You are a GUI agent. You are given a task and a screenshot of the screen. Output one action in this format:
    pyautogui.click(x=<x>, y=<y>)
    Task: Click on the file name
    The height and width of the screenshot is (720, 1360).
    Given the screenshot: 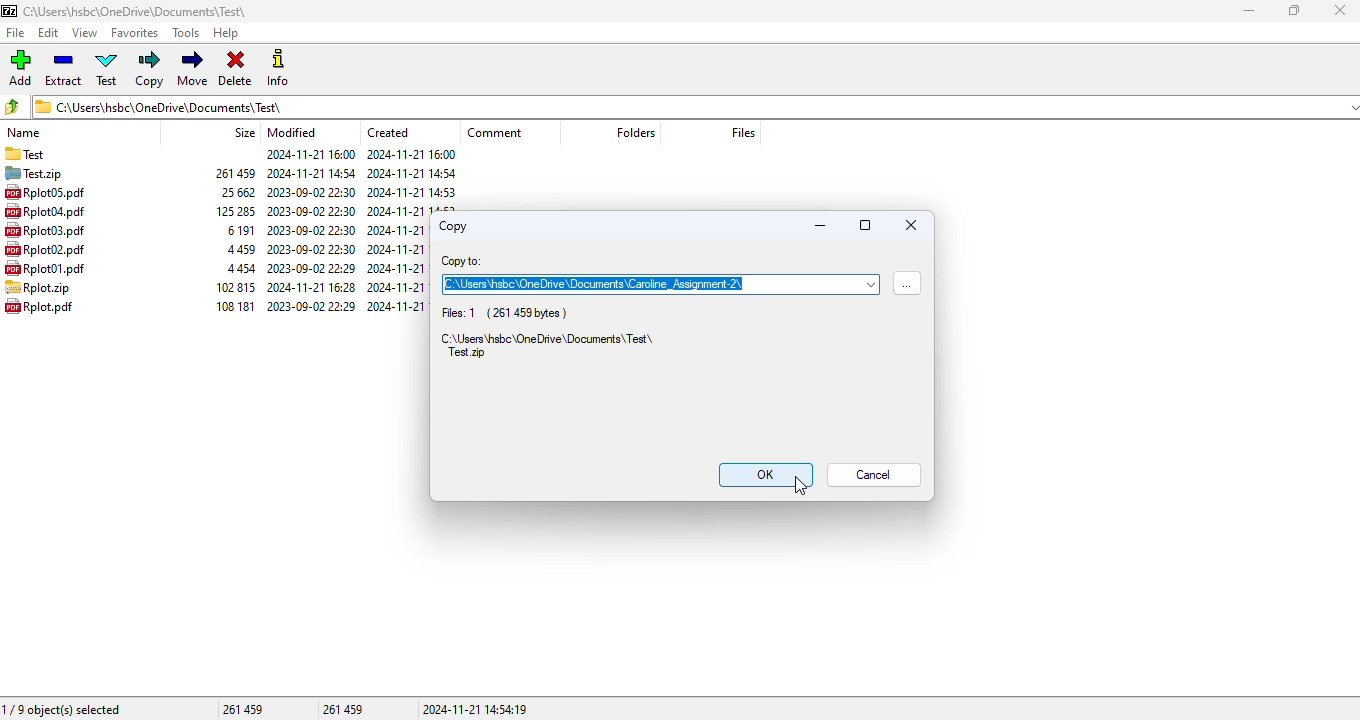 What is the action you would take?
    pyautogui.click(x=39, y=306)
    